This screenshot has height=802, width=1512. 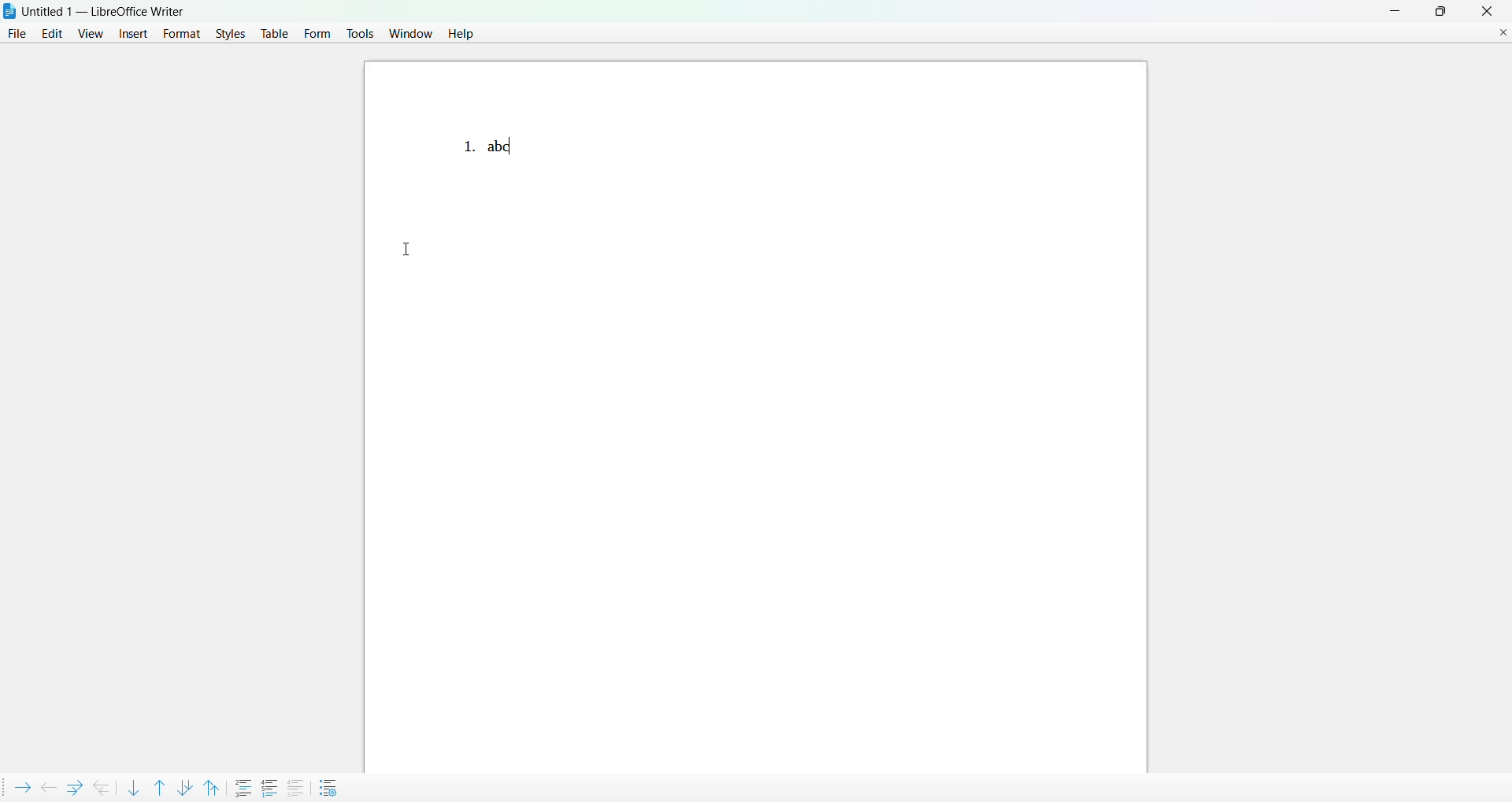 I want to click on help, so click(x=459, y=35).